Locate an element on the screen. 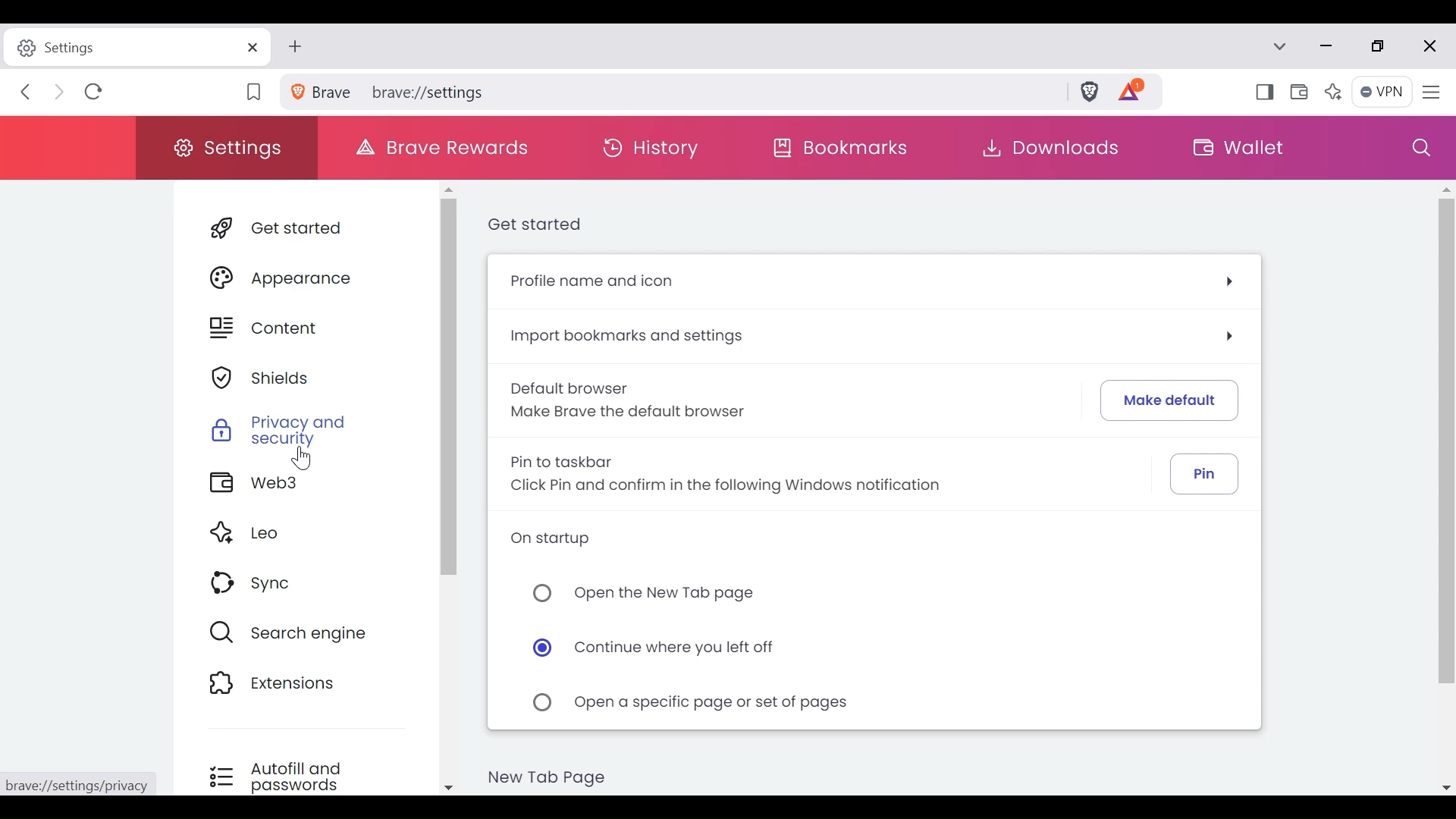 The width and height of the screenshot is (1456, 819). New Tab Page is located at coordinates (548, 777).